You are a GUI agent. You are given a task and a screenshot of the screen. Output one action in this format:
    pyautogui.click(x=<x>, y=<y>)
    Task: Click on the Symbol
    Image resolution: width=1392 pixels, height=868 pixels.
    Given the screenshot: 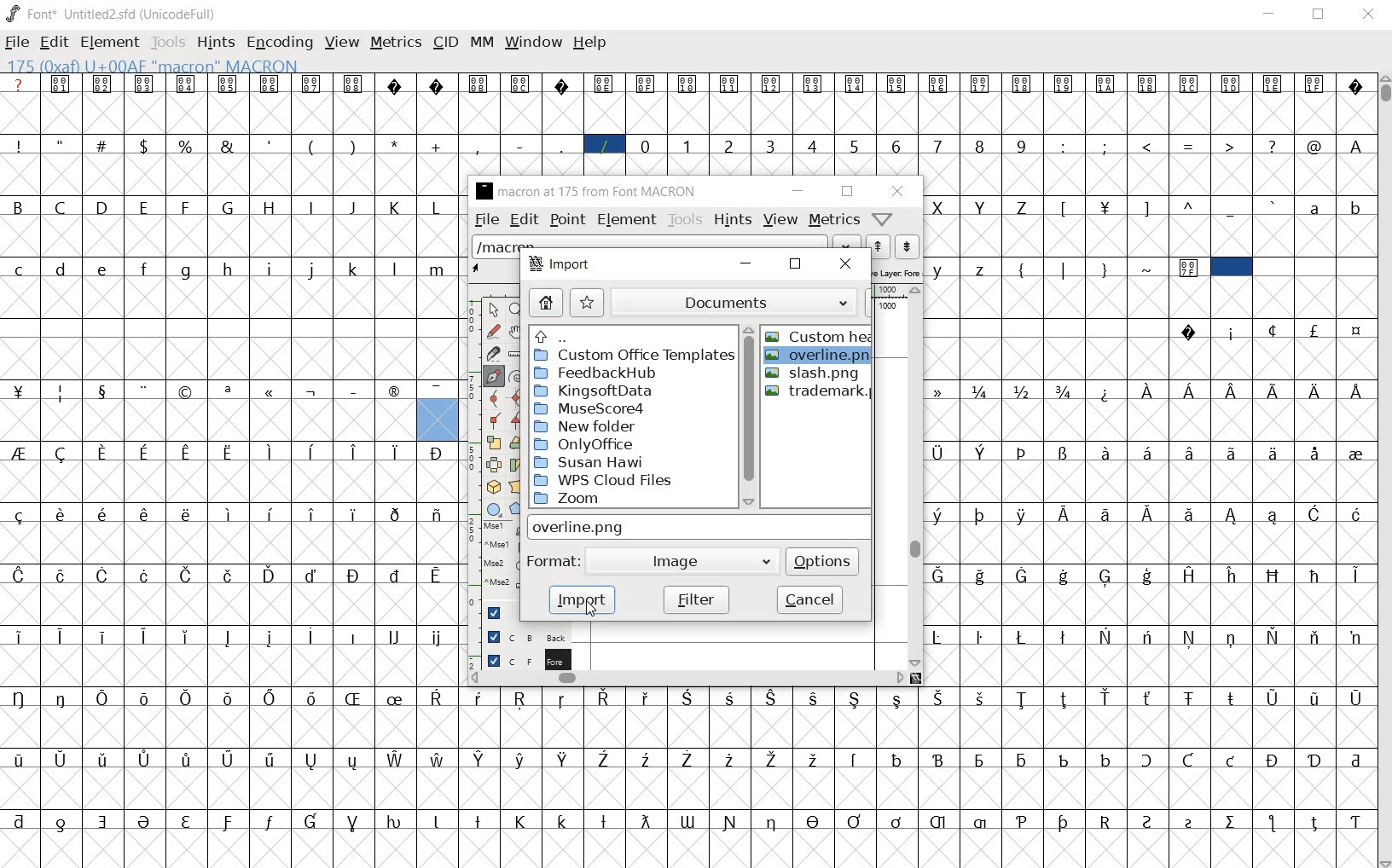 What is the action you would take?
    pyautogui.click(x=983, y=698)
    